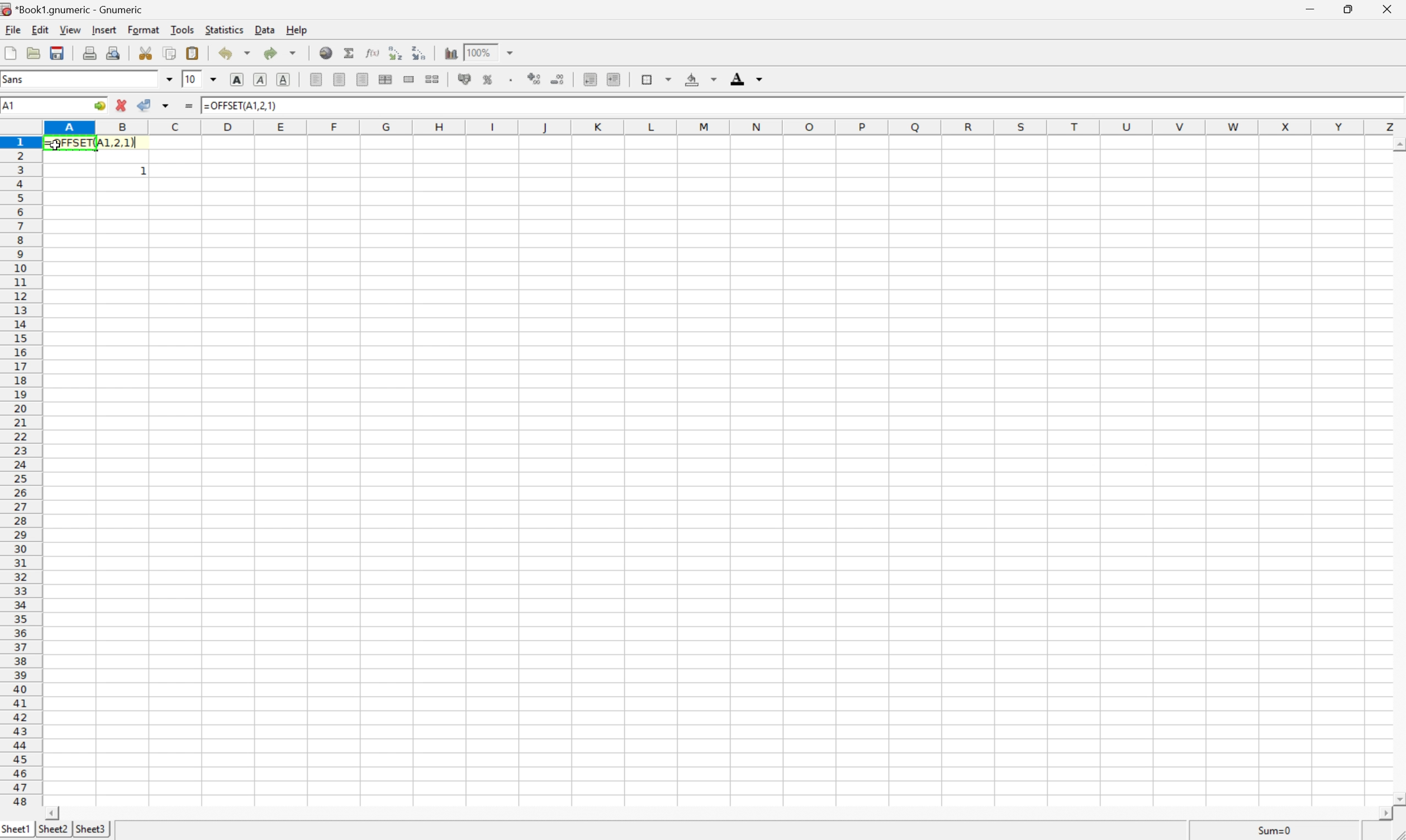 Image resolution: width=1406 pixels, height=840 pixels. Describe the element at coordinates (535, 80) in the screenshot. I see `increase number of decimals displayed` at that location.